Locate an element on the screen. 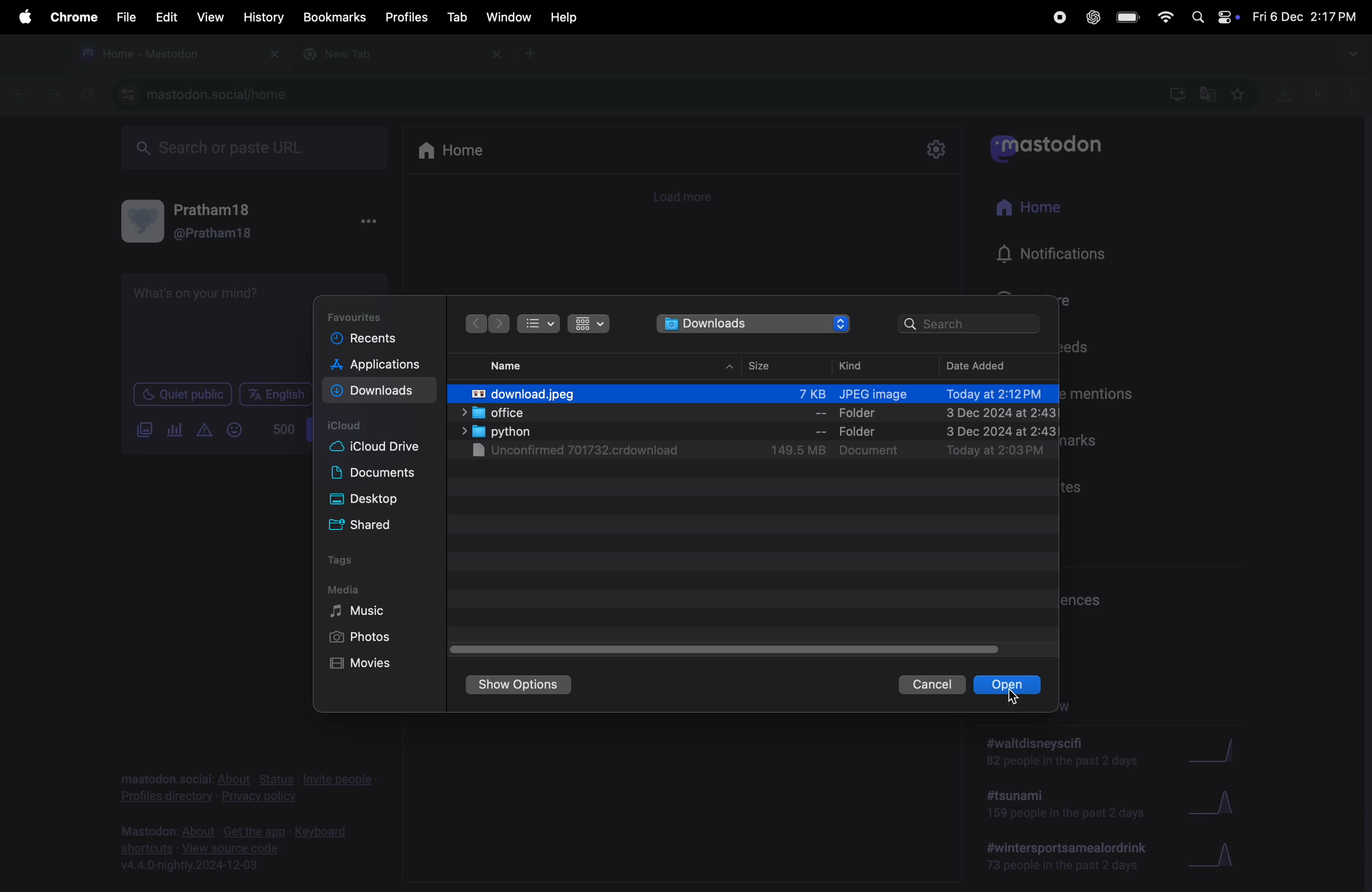  home is located at coordinates (455, 151).